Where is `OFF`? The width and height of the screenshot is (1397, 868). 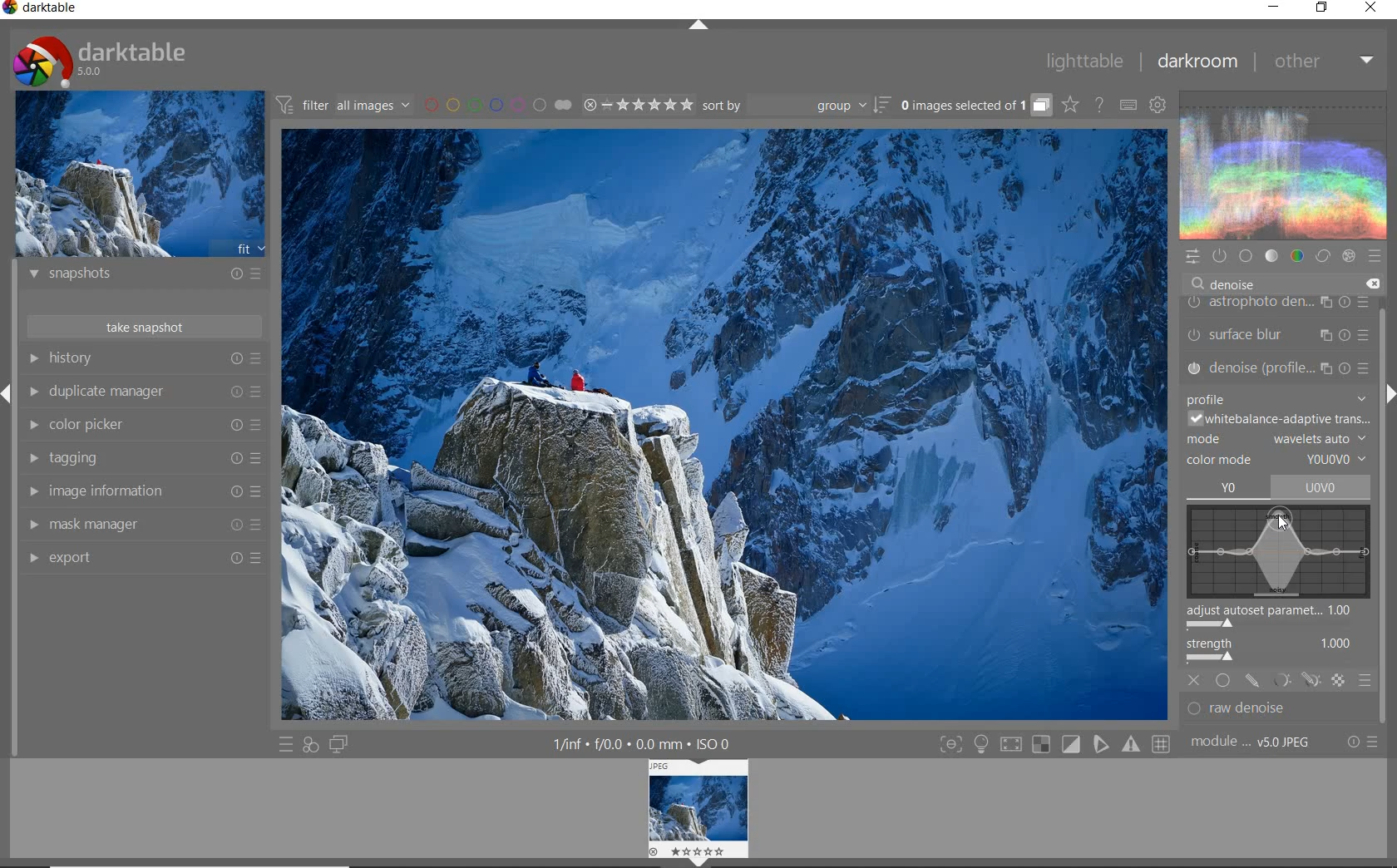
OFF is located at coordinates (1195, 679).